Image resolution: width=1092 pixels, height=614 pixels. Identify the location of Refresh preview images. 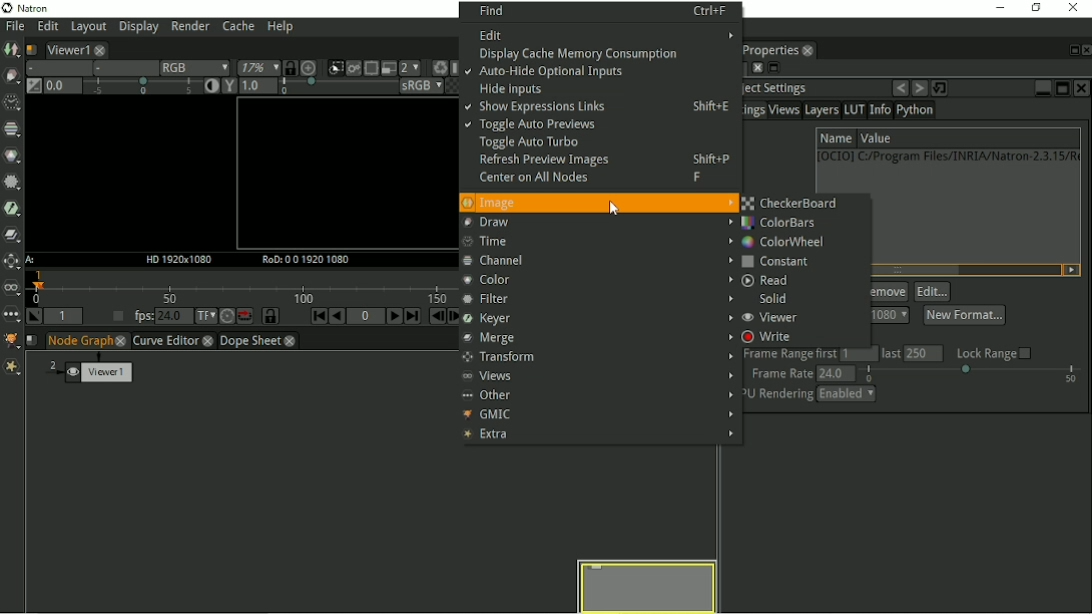
(606, 162).